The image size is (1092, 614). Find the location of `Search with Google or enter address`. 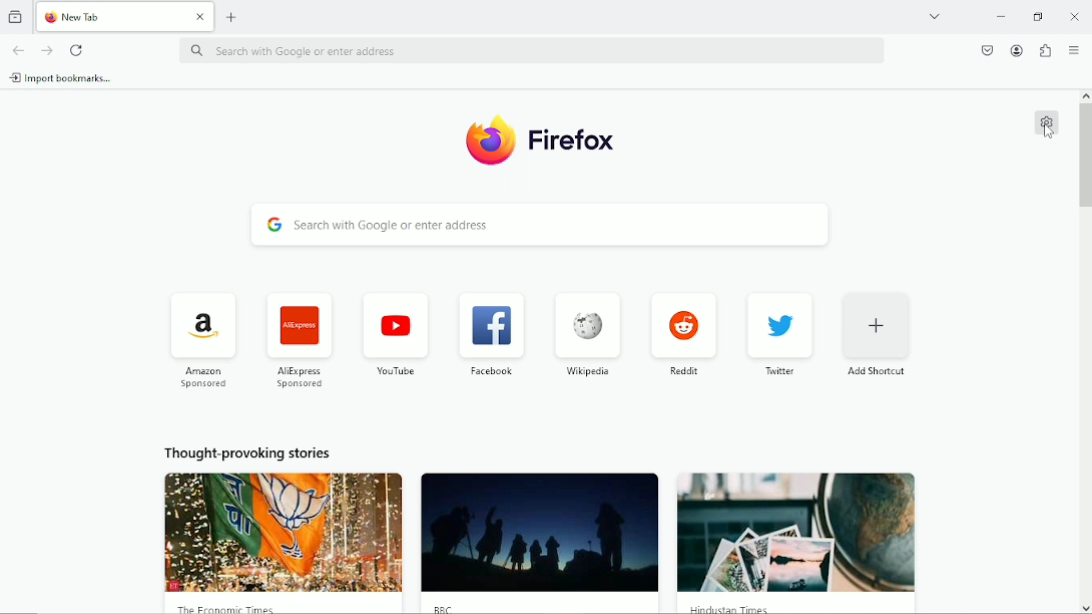

Search with Google or enter address is located at coordinates (532, 51).